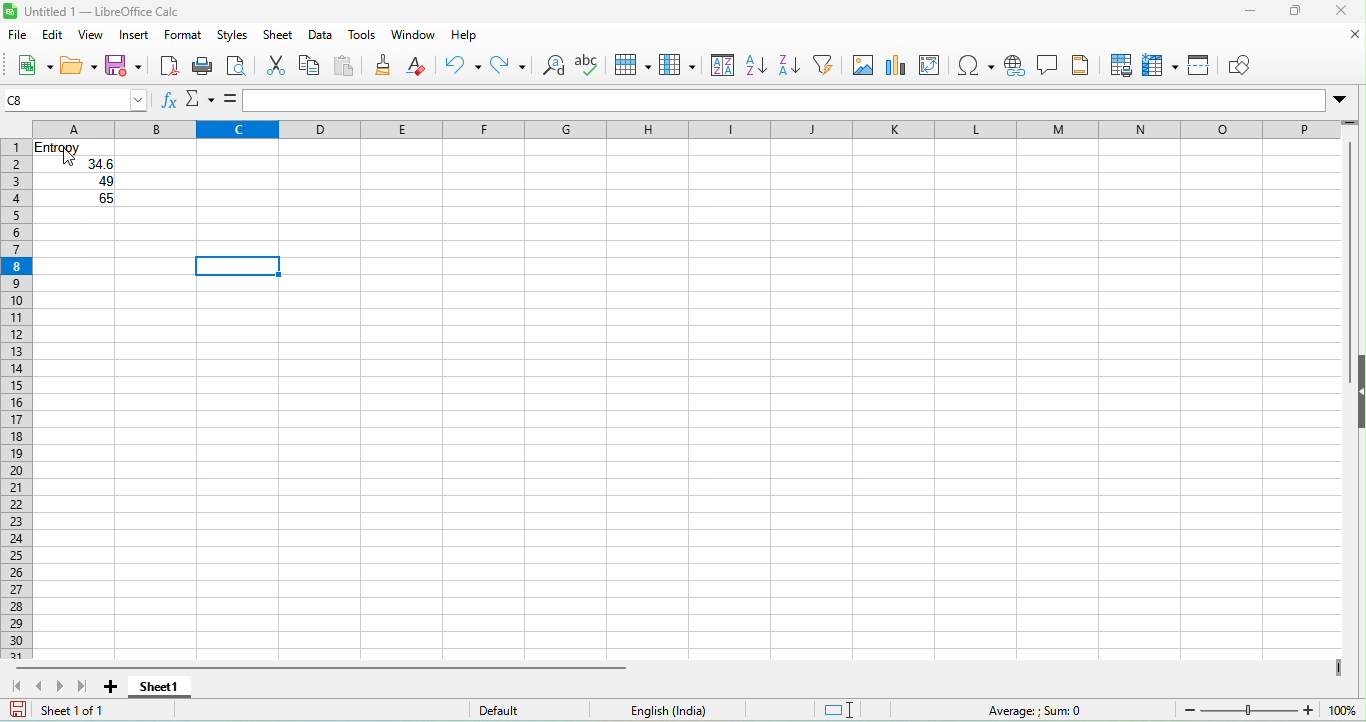  What do you see at coordinates (126, 67) in the screenshot?
I see `save` at bounding box center [126, 67].